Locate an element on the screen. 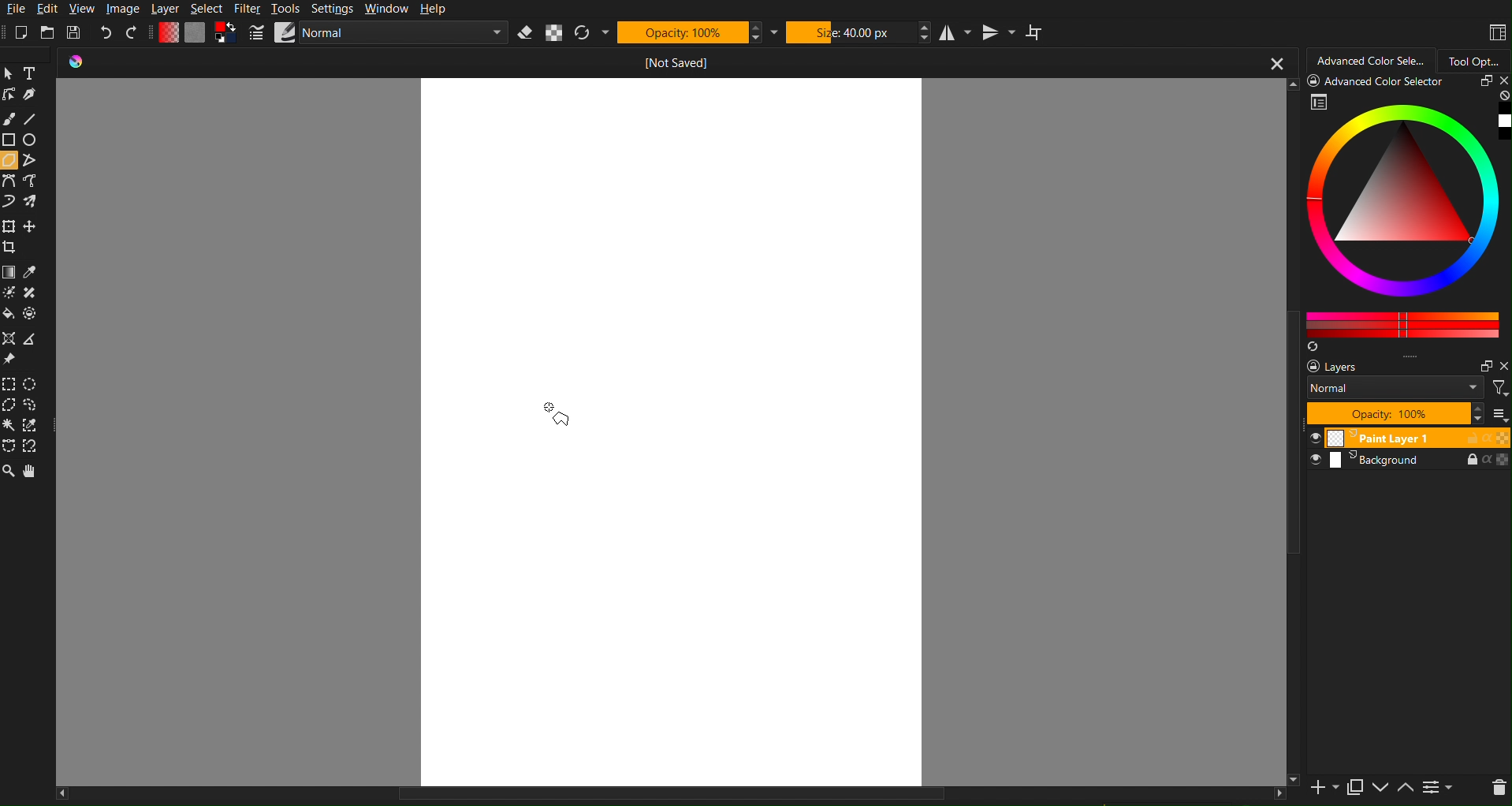 The width and height of the screenshot is (1512, 806). Line  is located at coordinates (36, 118).